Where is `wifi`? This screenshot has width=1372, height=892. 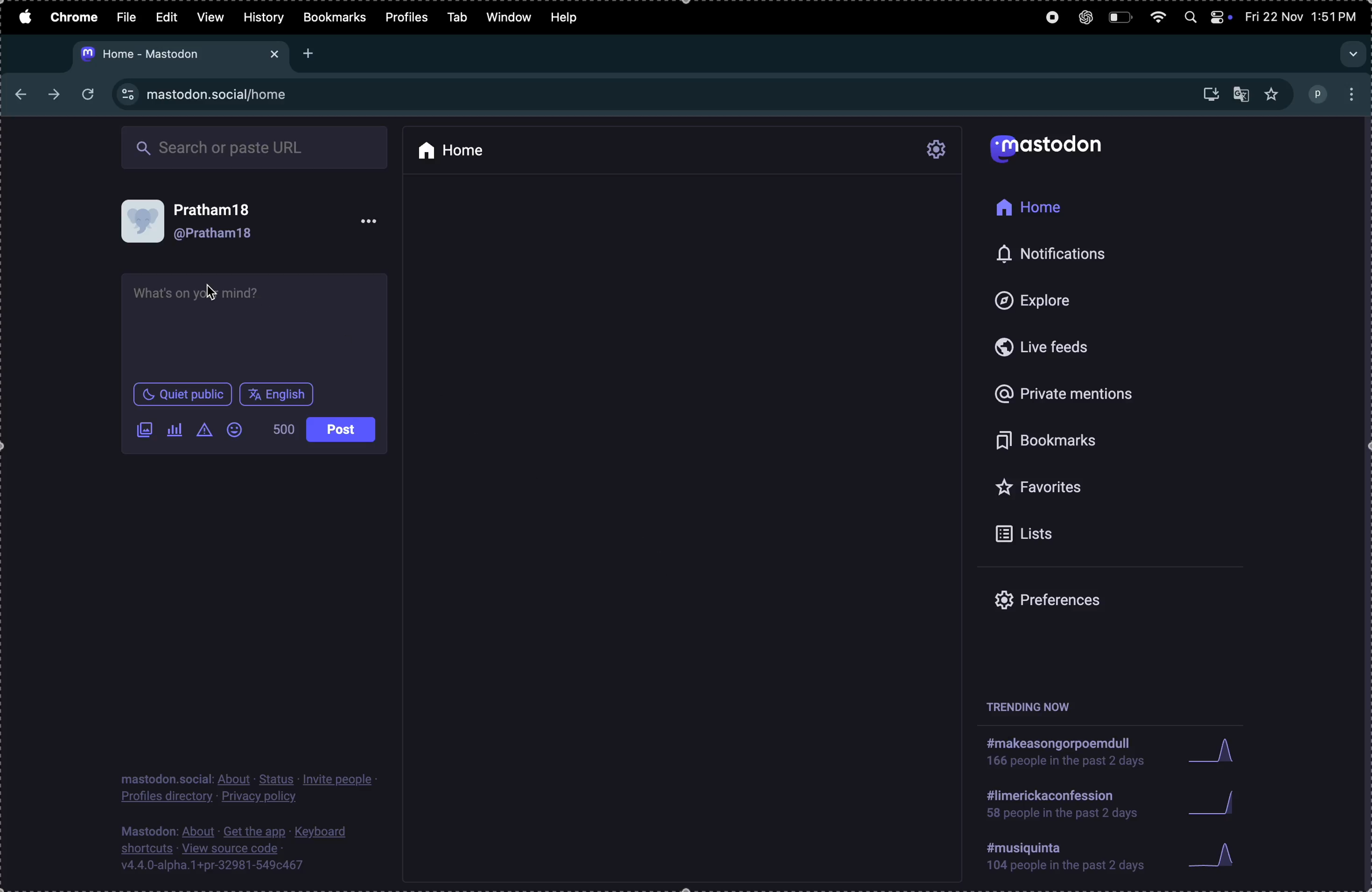
wifi is located at coordinates (1156, 17).